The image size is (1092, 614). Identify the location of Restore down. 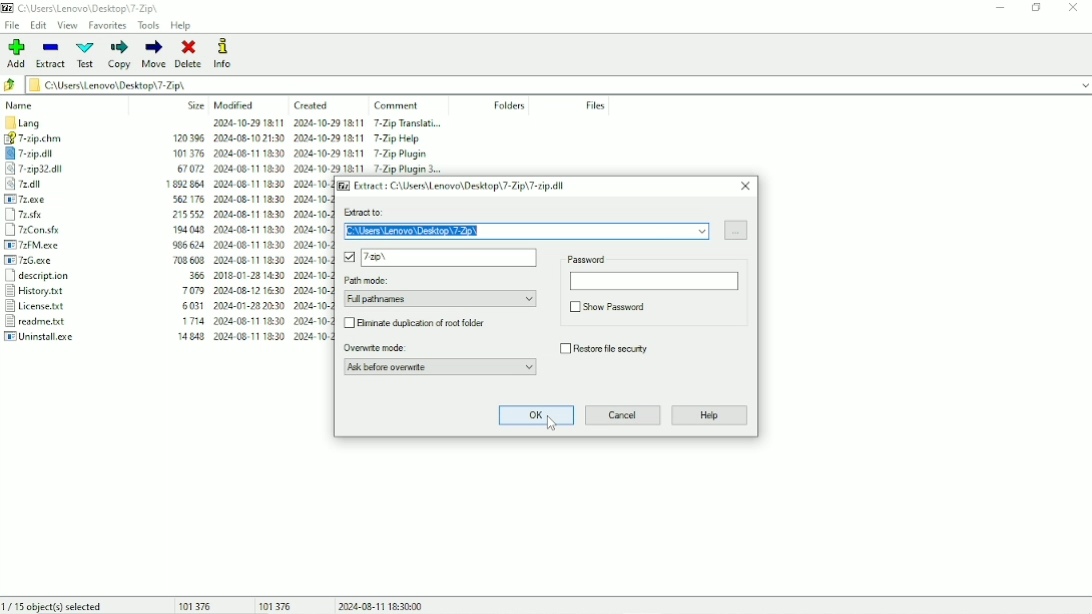
(1037, 7).